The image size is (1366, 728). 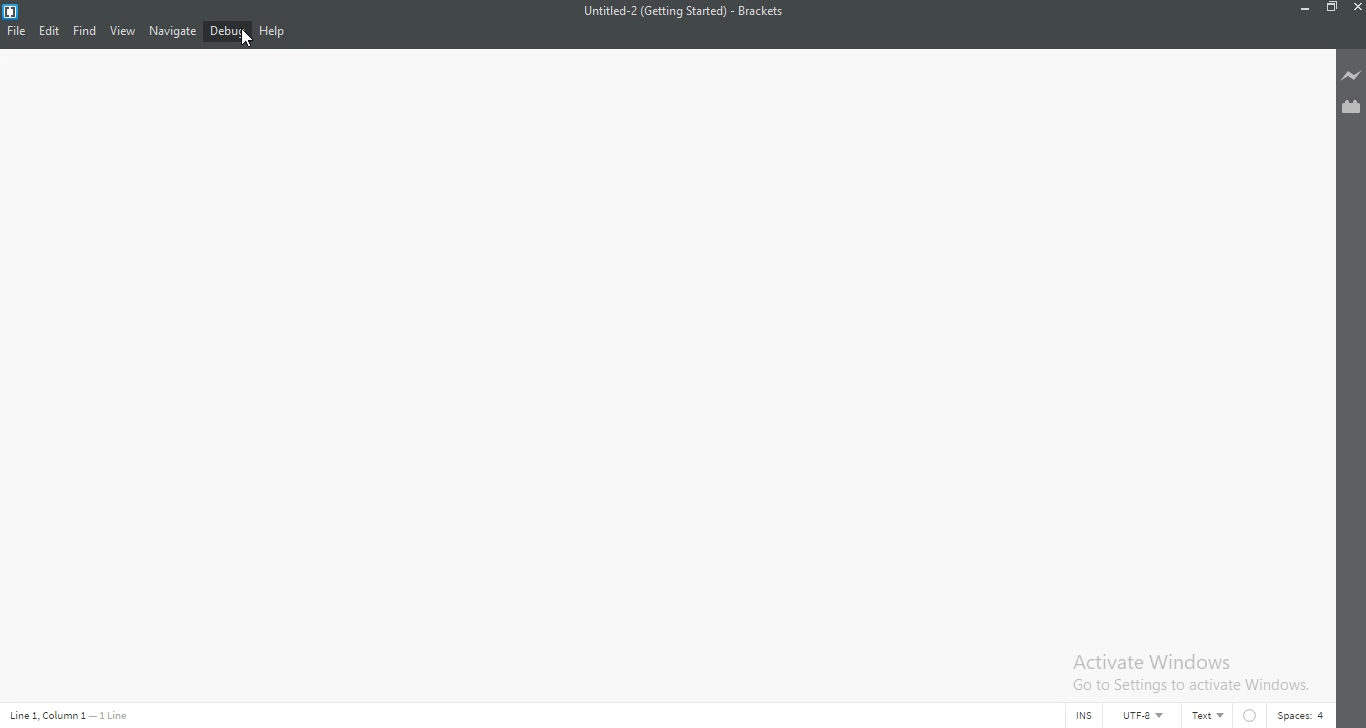 What do you see at coordinates (122, 31) in the screenshot?
I see `view` at bounding box center [122, 31].